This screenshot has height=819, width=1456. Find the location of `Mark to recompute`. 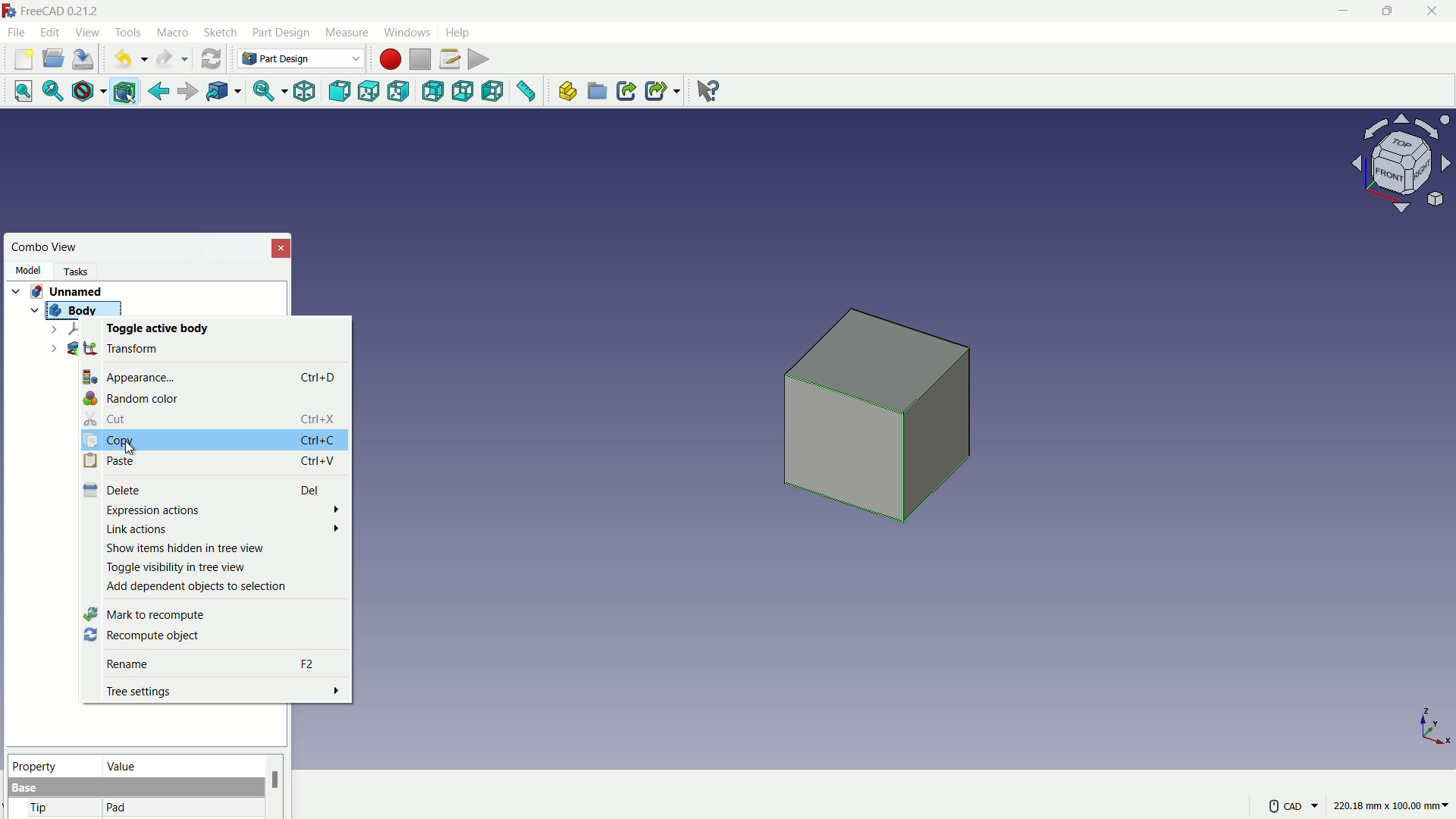

Mark to recompute is located at coordinates (146, 614).